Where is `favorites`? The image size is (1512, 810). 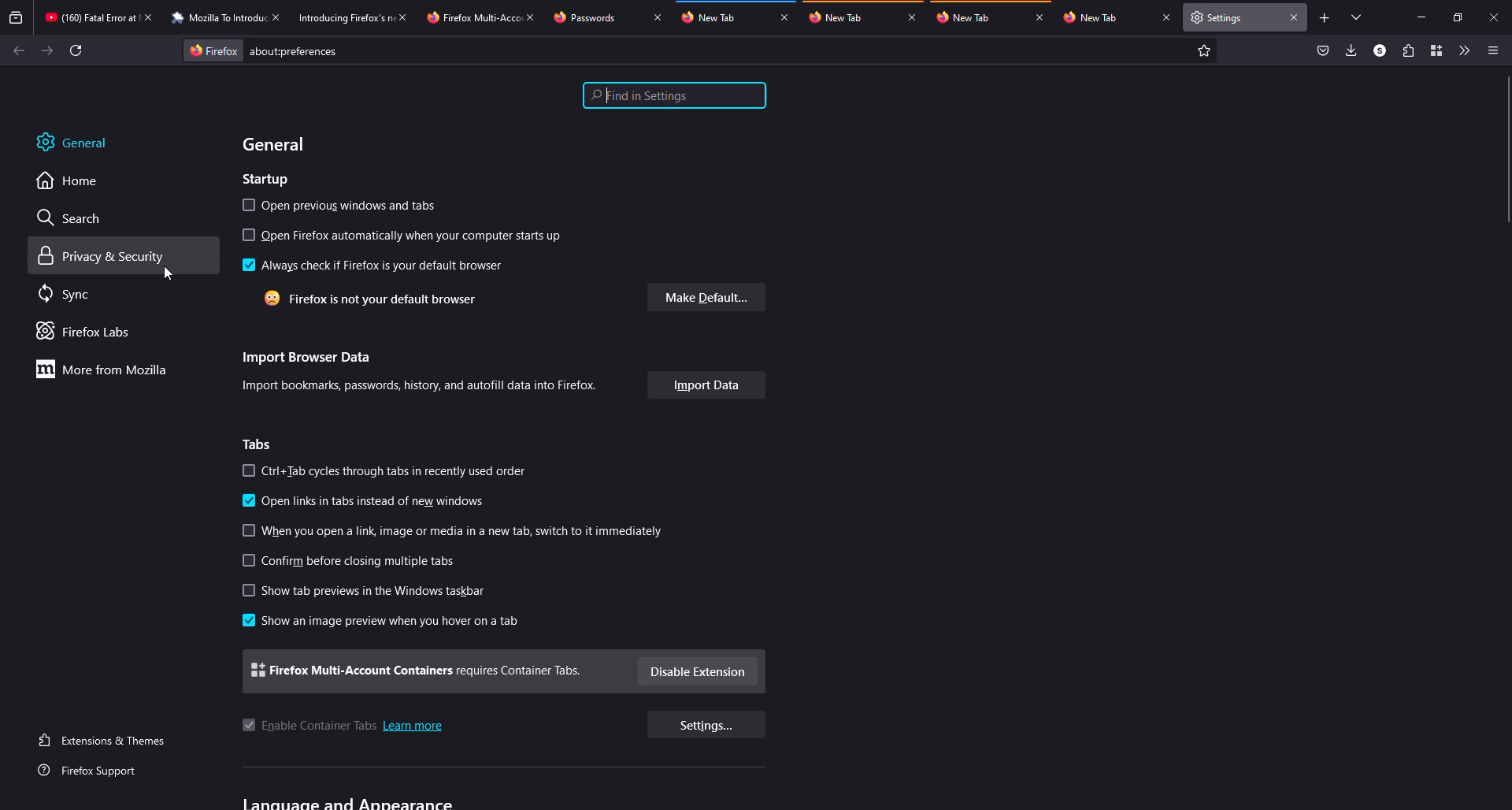
favorites is located at coordinates (1203, 49).